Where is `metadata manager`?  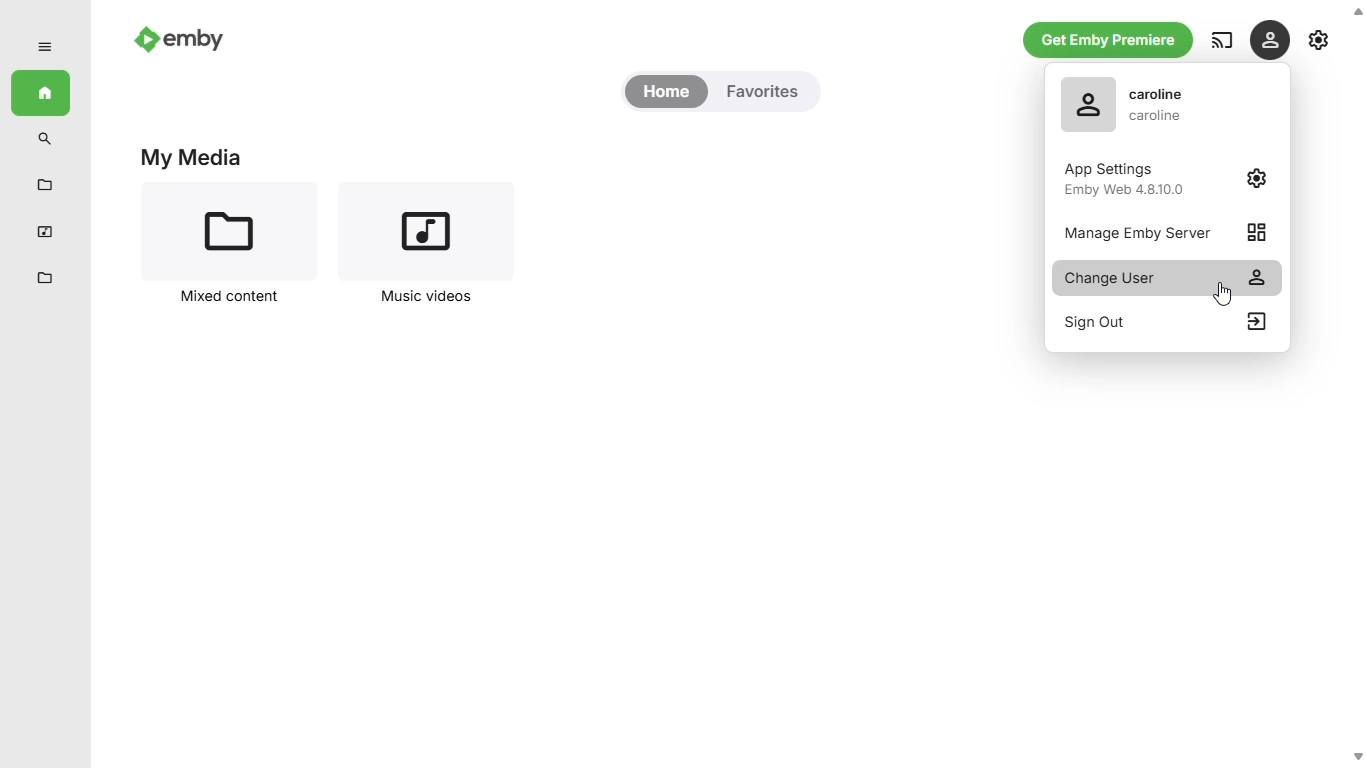
metadata manager is located at coordinates (45, 279).